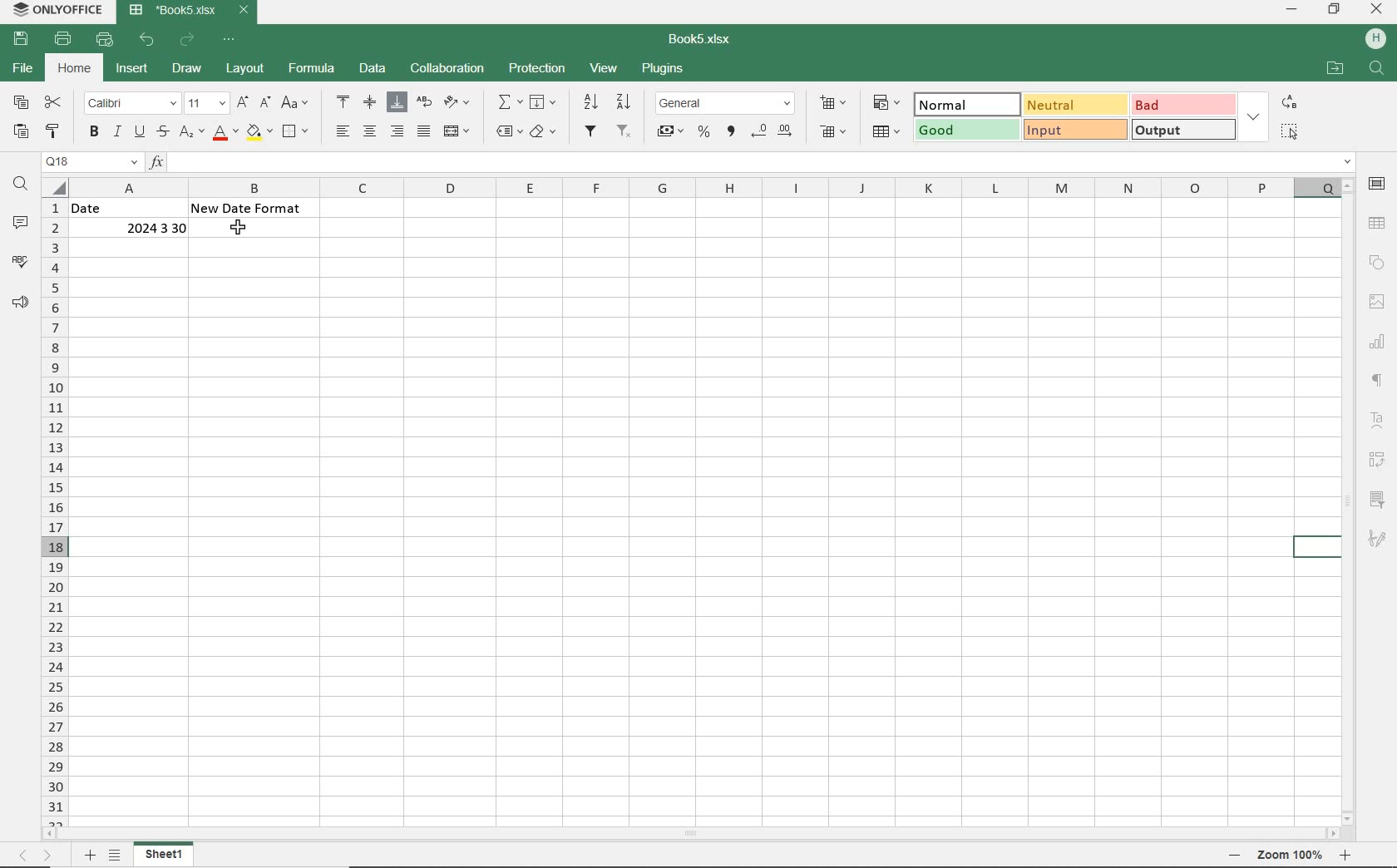 The width and height of the screenshot is (1397, 868). I want to click on CUSTOMIZE QUICK ACCESS TOOLBAR, so click(230, 41).